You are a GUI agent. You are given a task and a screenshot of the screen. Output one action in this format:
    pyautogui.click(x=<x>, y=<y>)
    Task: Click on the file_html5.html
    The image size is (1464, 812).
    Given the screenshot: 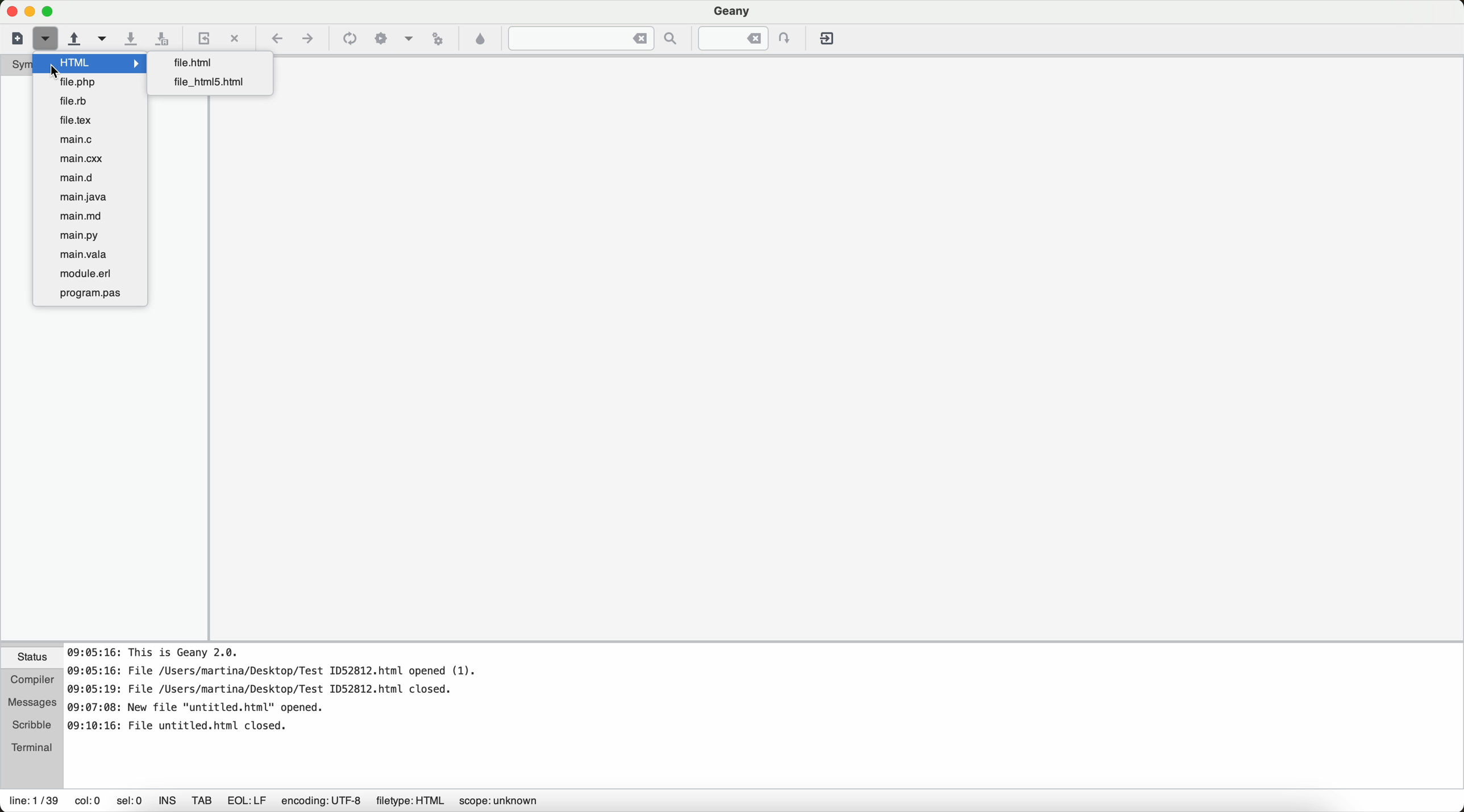 What is the action you would take?
    pyautogui.click(x=211, y=84)
    